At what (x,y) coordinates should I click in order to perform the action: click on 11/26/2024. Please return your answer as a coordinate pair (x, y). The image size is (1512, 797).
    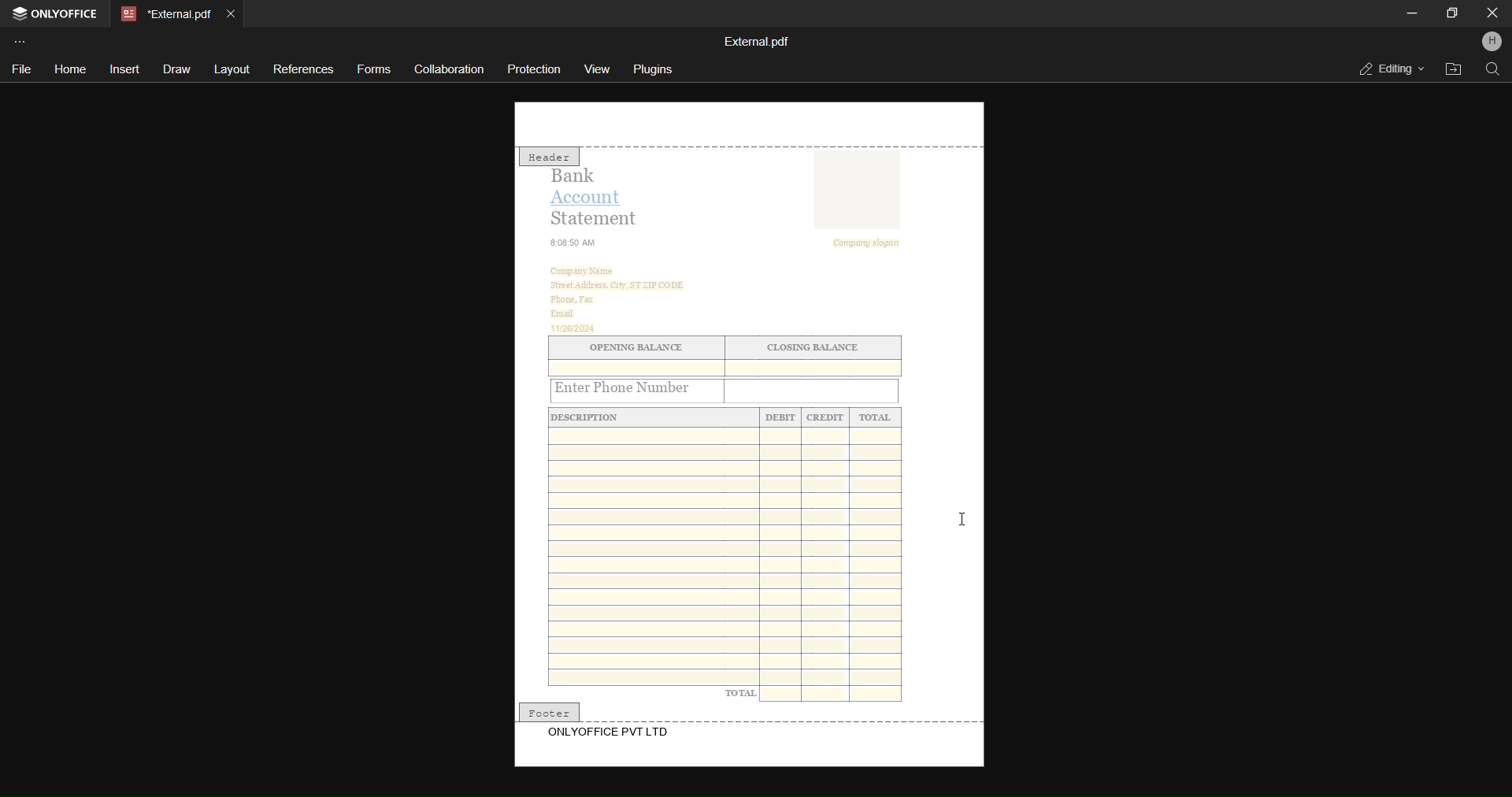
    Looking at the image, I should click on (575, 328).